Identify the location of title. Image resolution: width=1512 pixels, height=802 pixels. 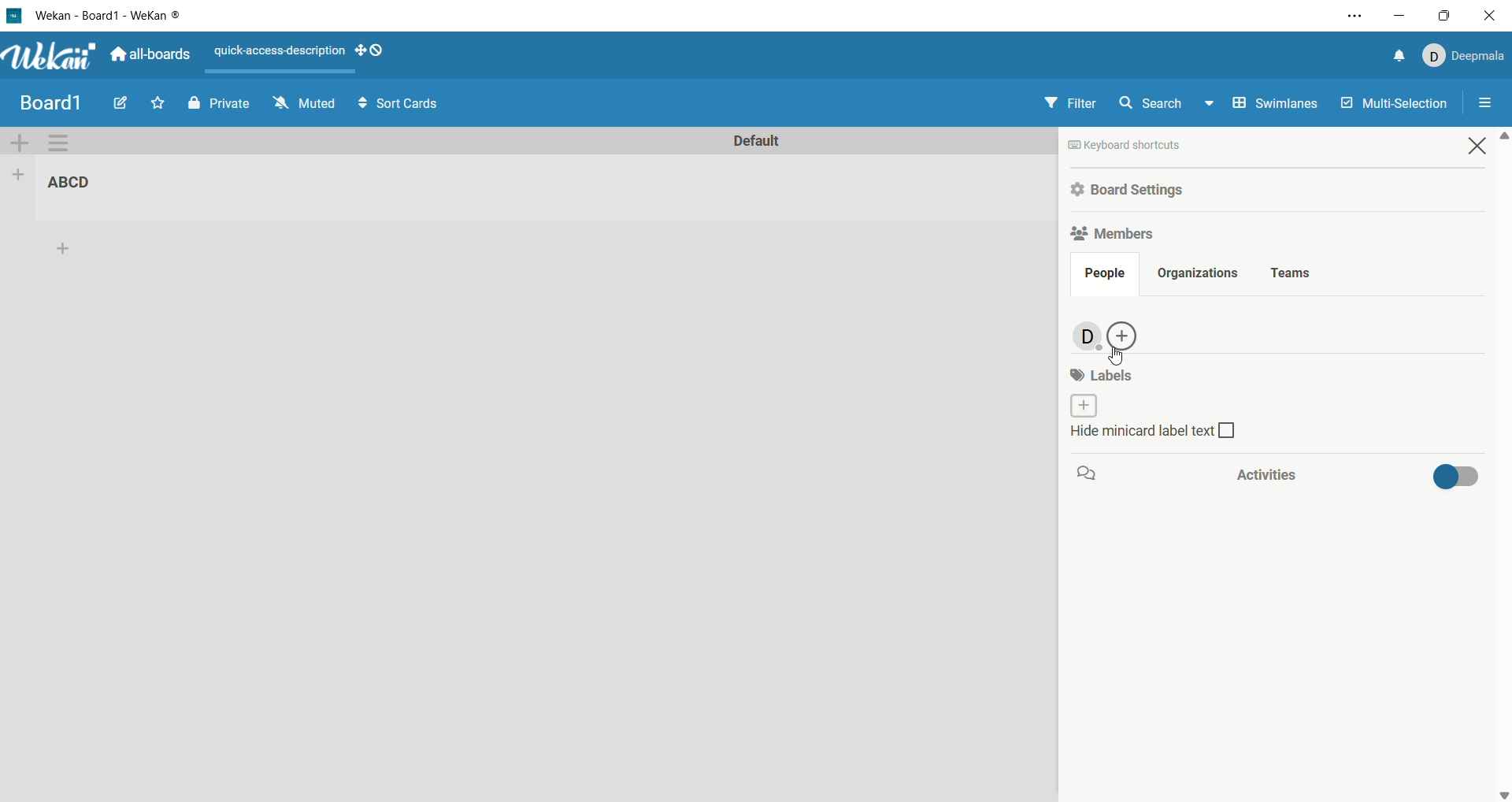
(50, 102).